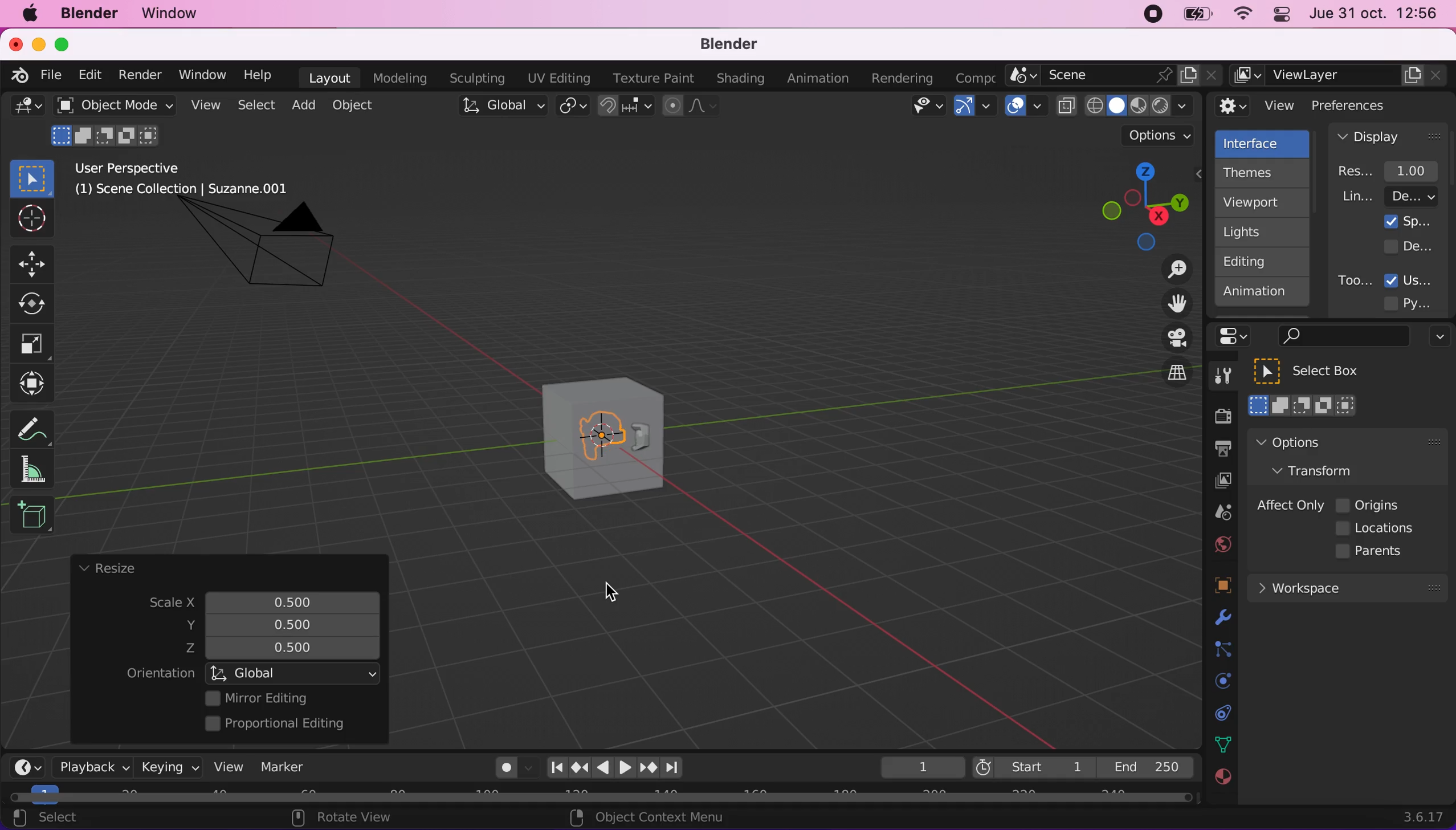 This screenshot has width=1456, height=830. What do you see at coordinates (649, 770) in the screenshot?
I see `jump to keyframe` at bounding box center [649, 770].